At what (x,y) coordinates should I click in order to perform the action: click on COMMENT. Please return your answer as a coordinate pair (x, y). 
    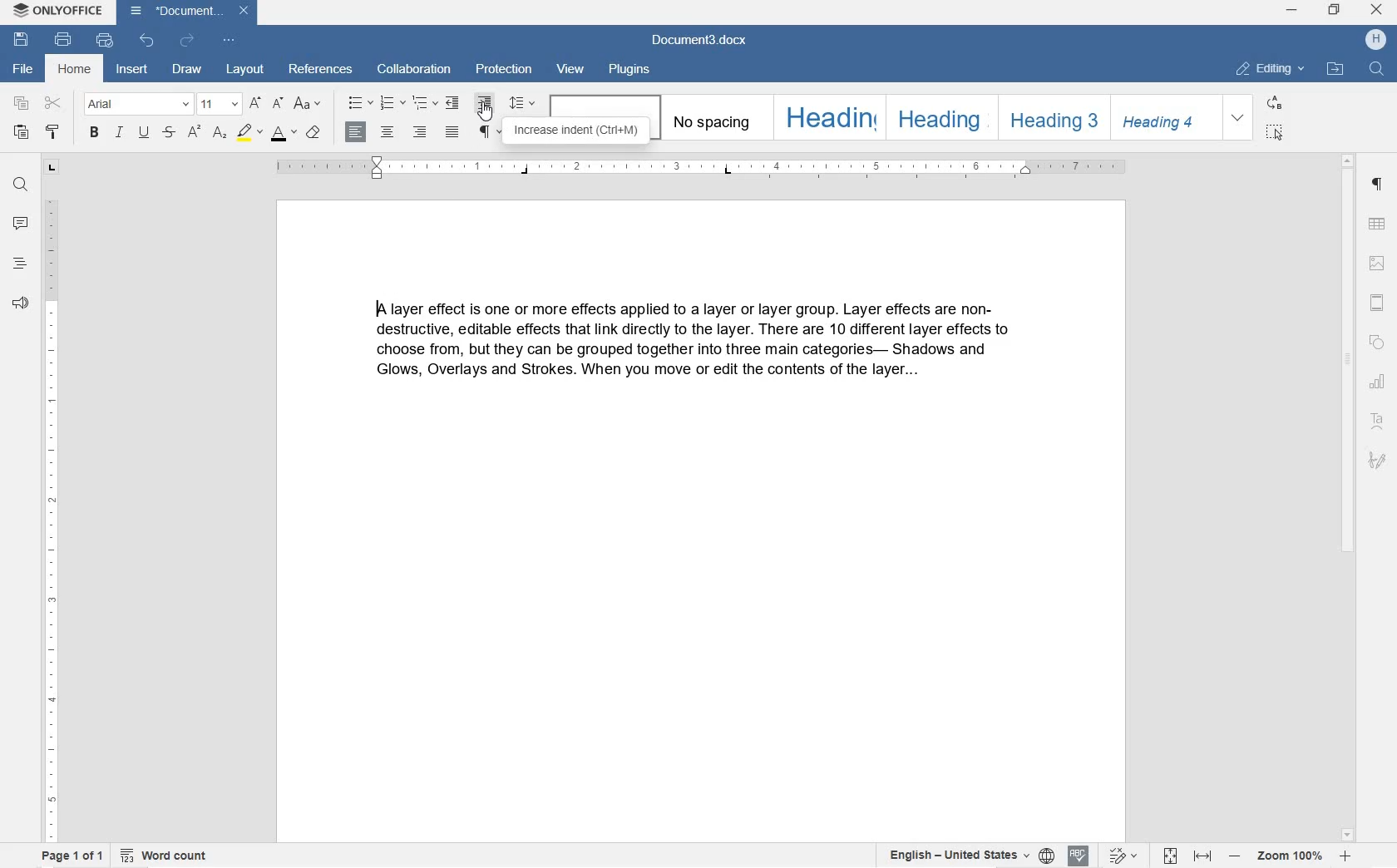
    Looking at the image, I should click on (19, 226).